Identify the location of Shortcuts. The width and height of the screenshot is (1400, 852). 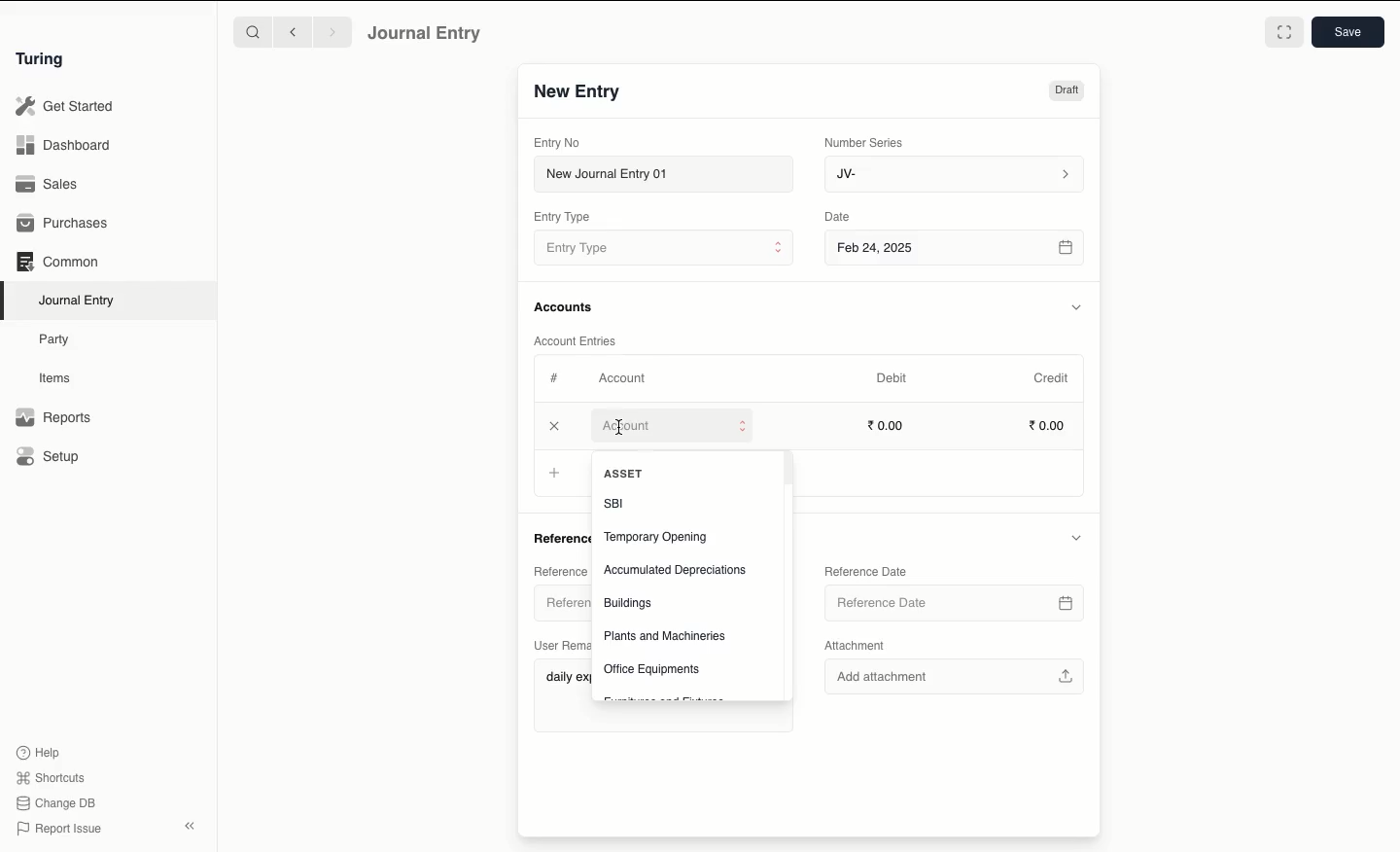
(53, 778).